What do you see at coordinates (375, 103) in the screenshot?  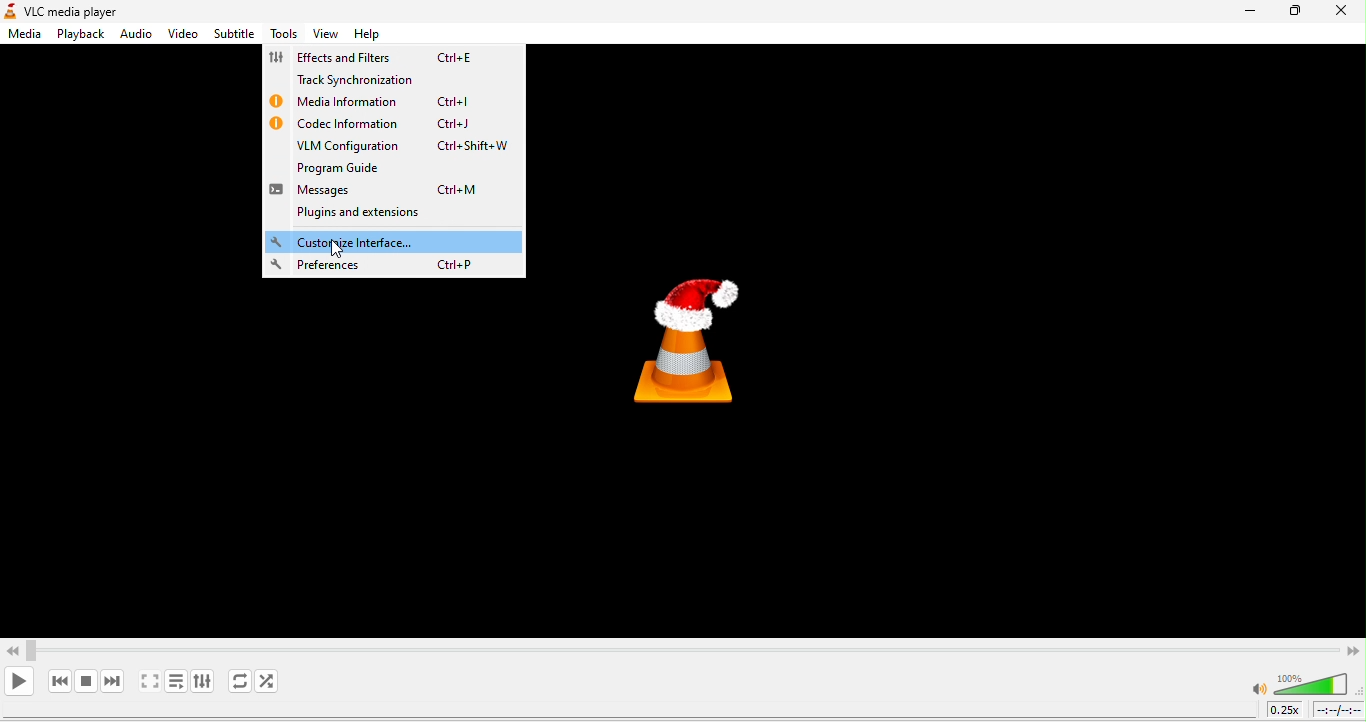 I see `media information` at bounding box center [375, 103].